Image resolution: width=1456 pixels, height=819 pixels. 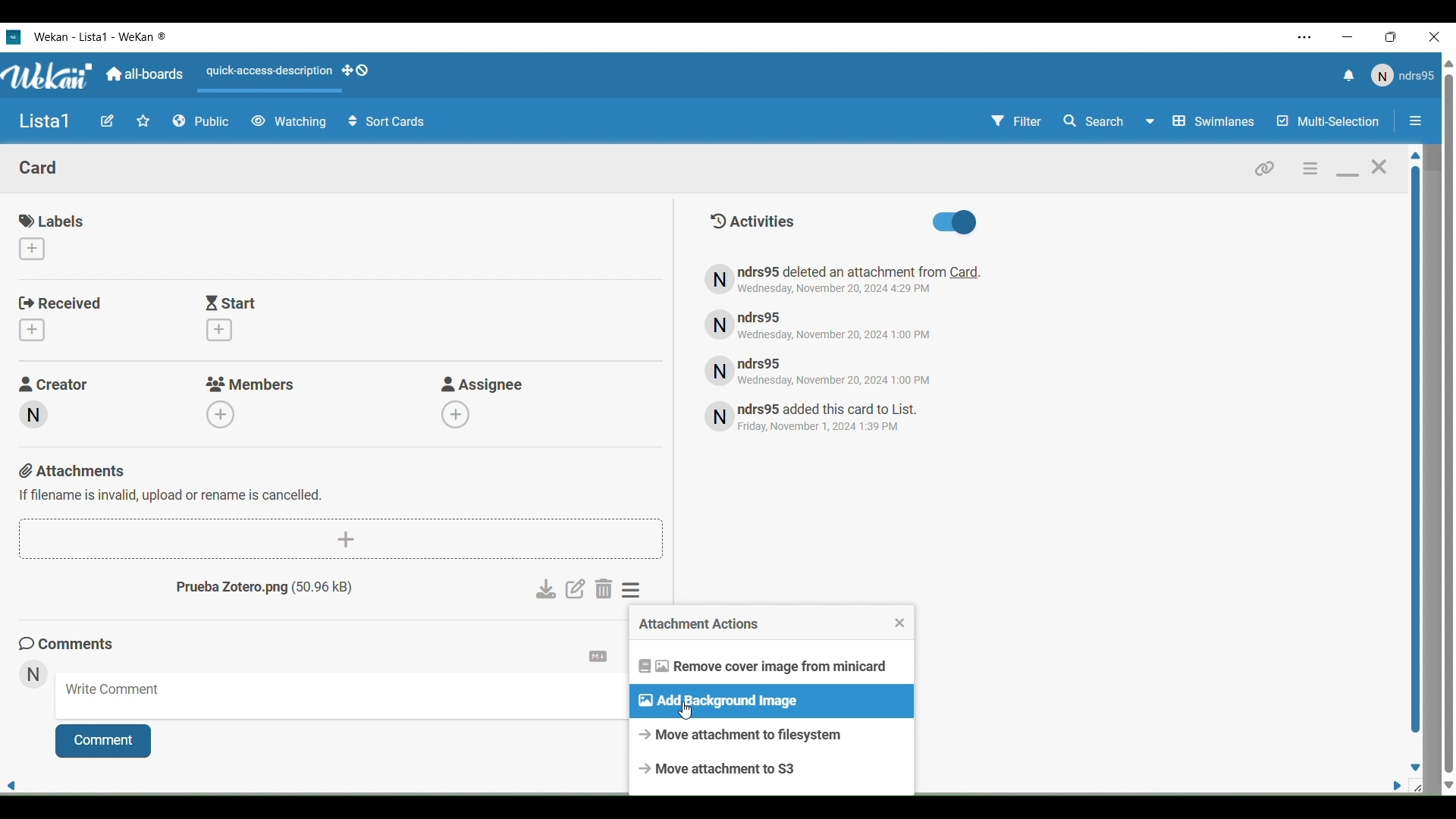 What do you see at coordinates (771, 666) in the screenshot?
I see `Remove cover image from Minicard` at bounding box center [771, 666].